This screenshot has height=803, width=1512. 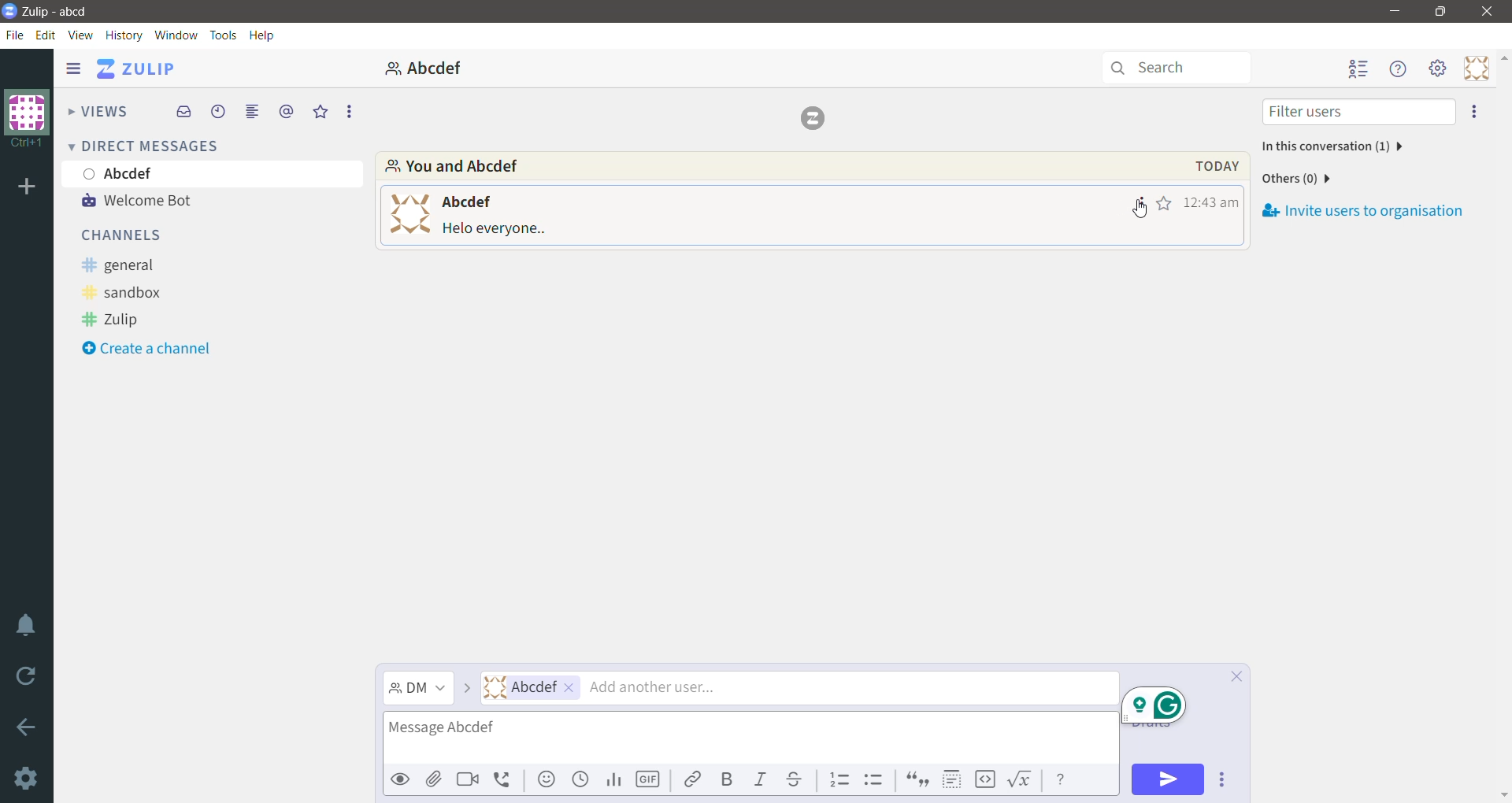 I want to click on Main menu, so click(x=1437, y=68).